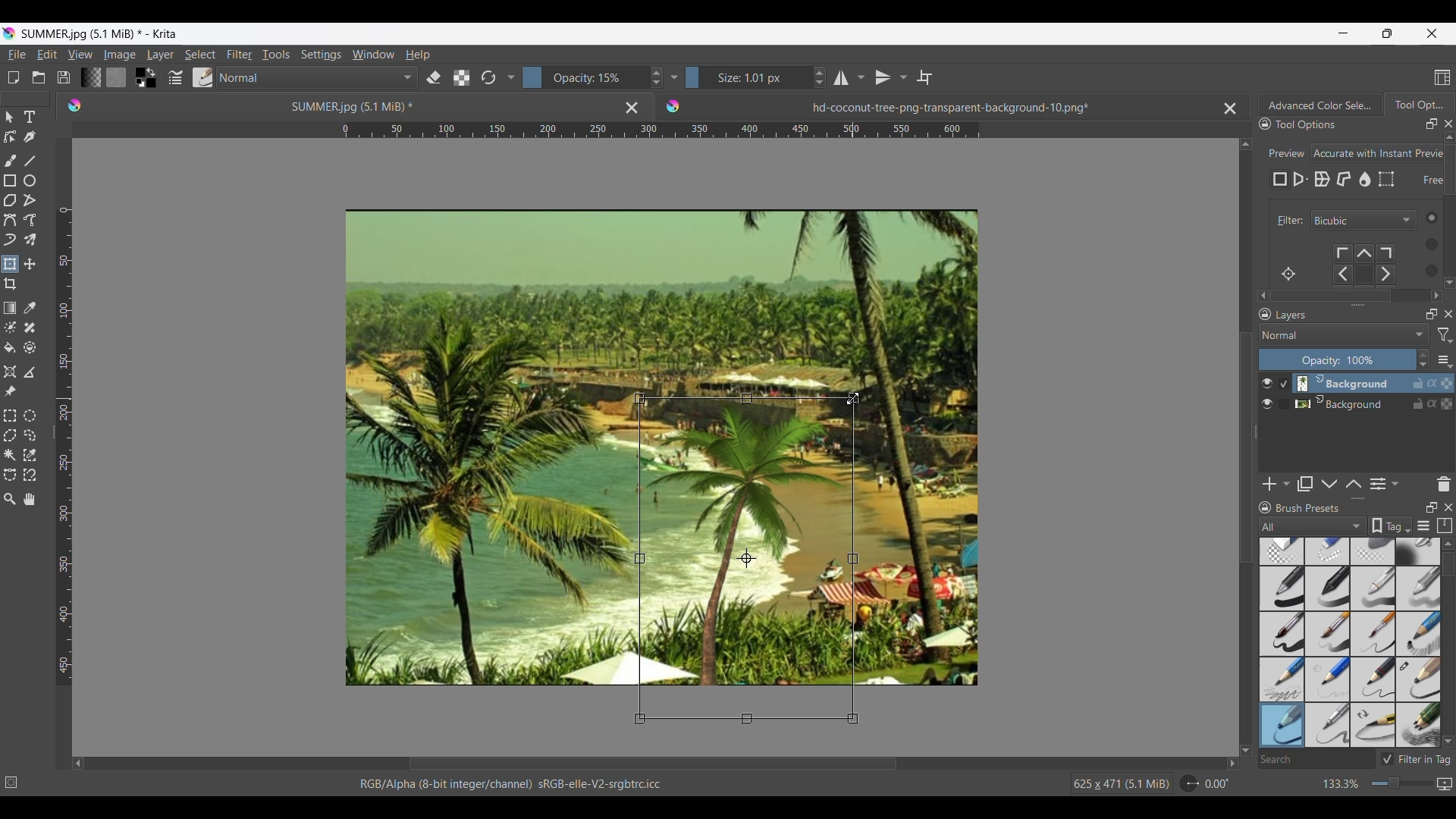 The height and width of the screenshot is (819, 1456). Describe the element at coordinates (10, 136) in the screenshot. I see `Edit shapes tool` at that location.